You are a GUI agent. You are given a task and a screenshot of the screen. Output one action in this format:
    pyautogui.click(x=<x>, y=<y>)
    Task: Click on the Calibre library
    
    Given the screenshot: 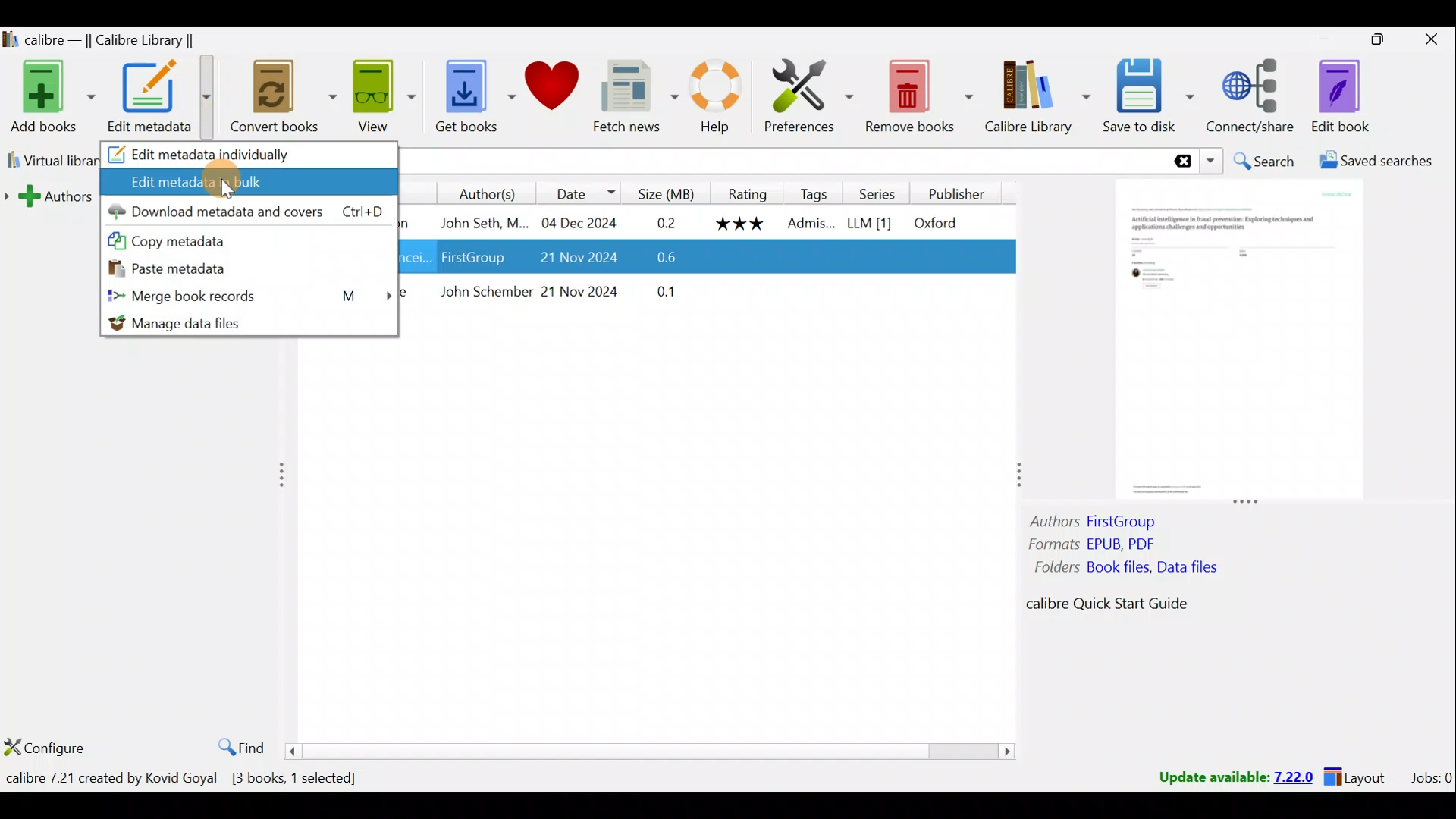 What is the action you would take?
    pyautogui.click(x=1031, y=96)
    